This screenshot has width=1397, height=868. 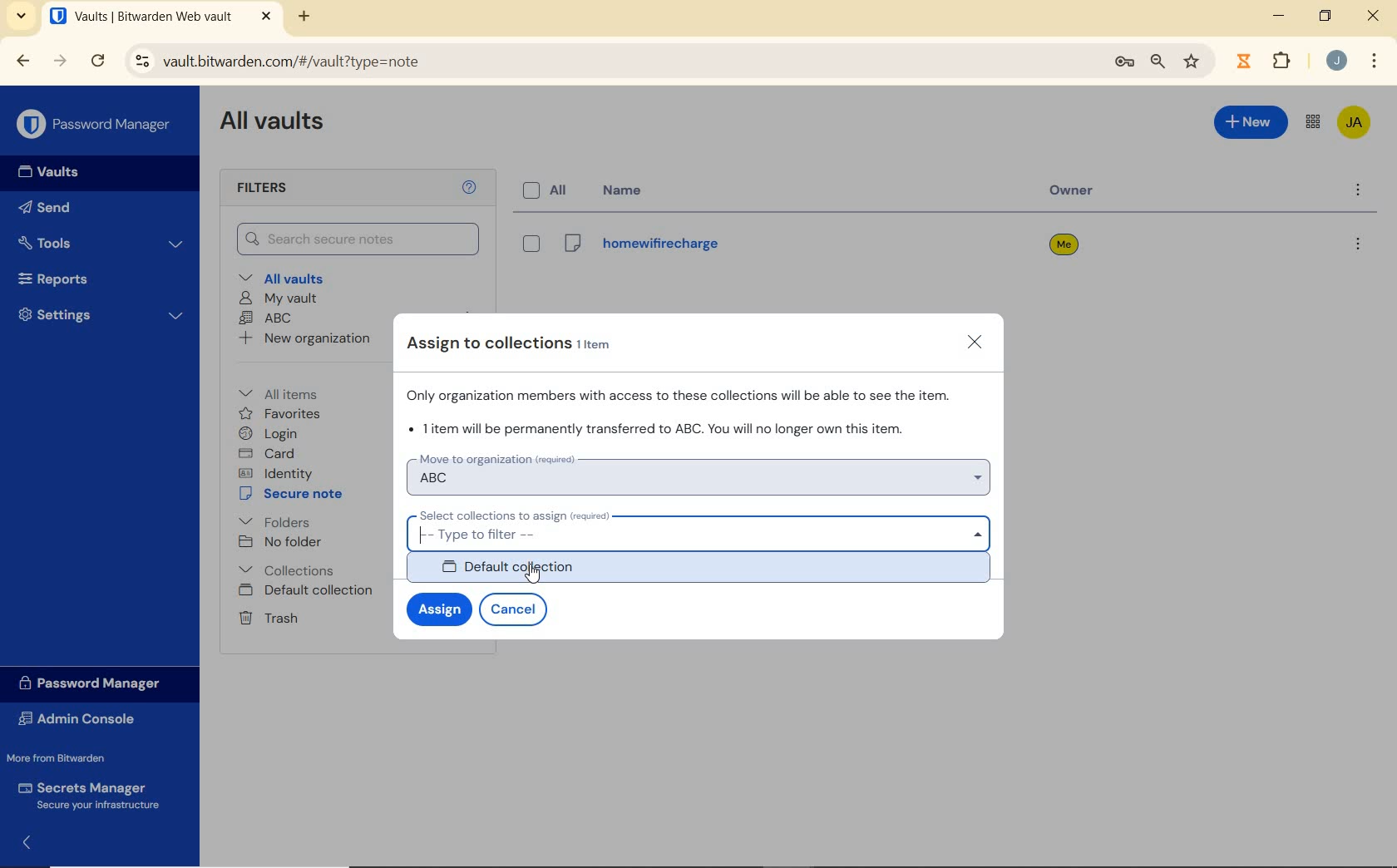 I want to click on Account, so click(x=1335, y=60).